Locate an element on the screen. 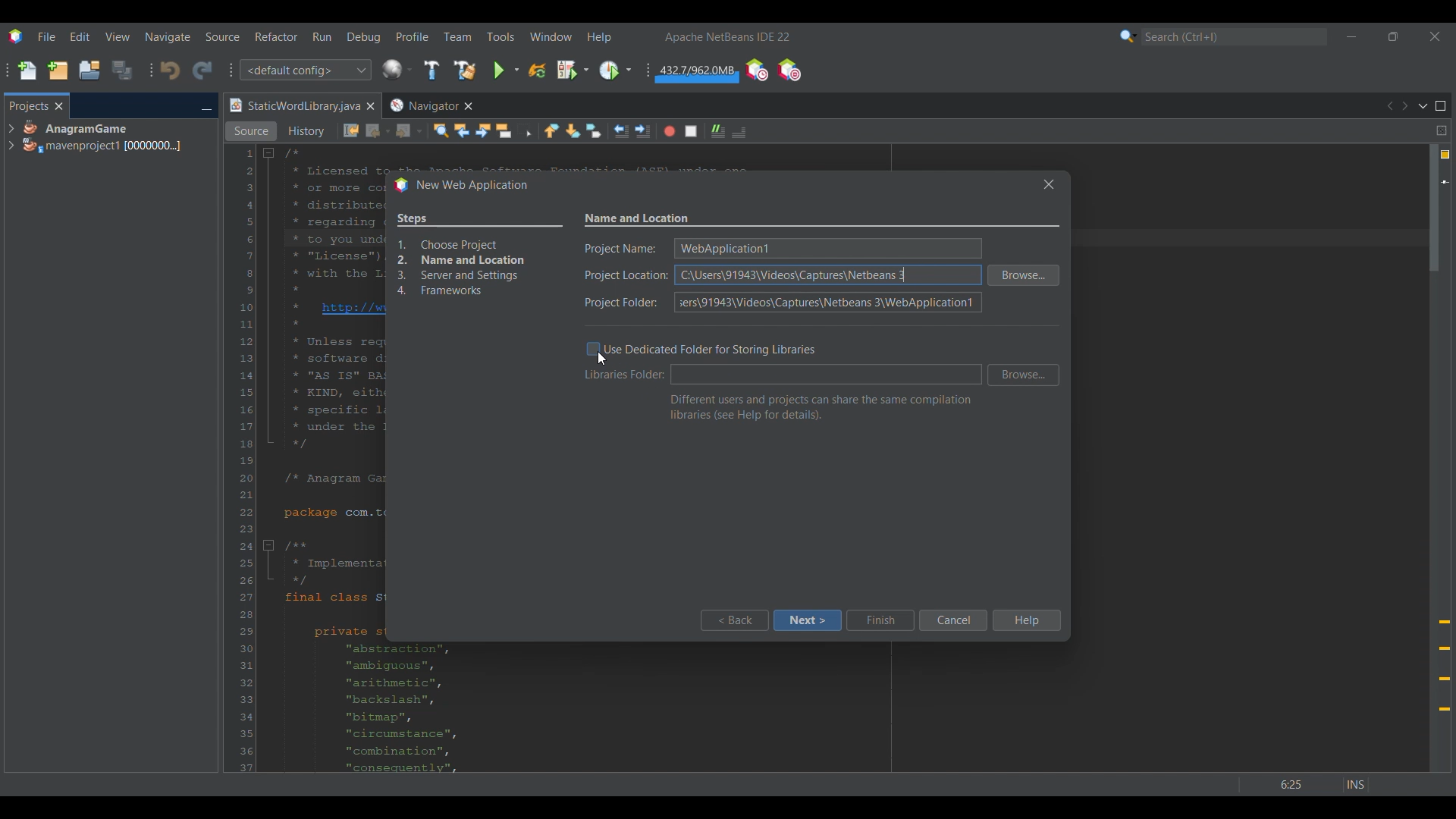  Text box for each respective detail is located at coordinates (825, 274).